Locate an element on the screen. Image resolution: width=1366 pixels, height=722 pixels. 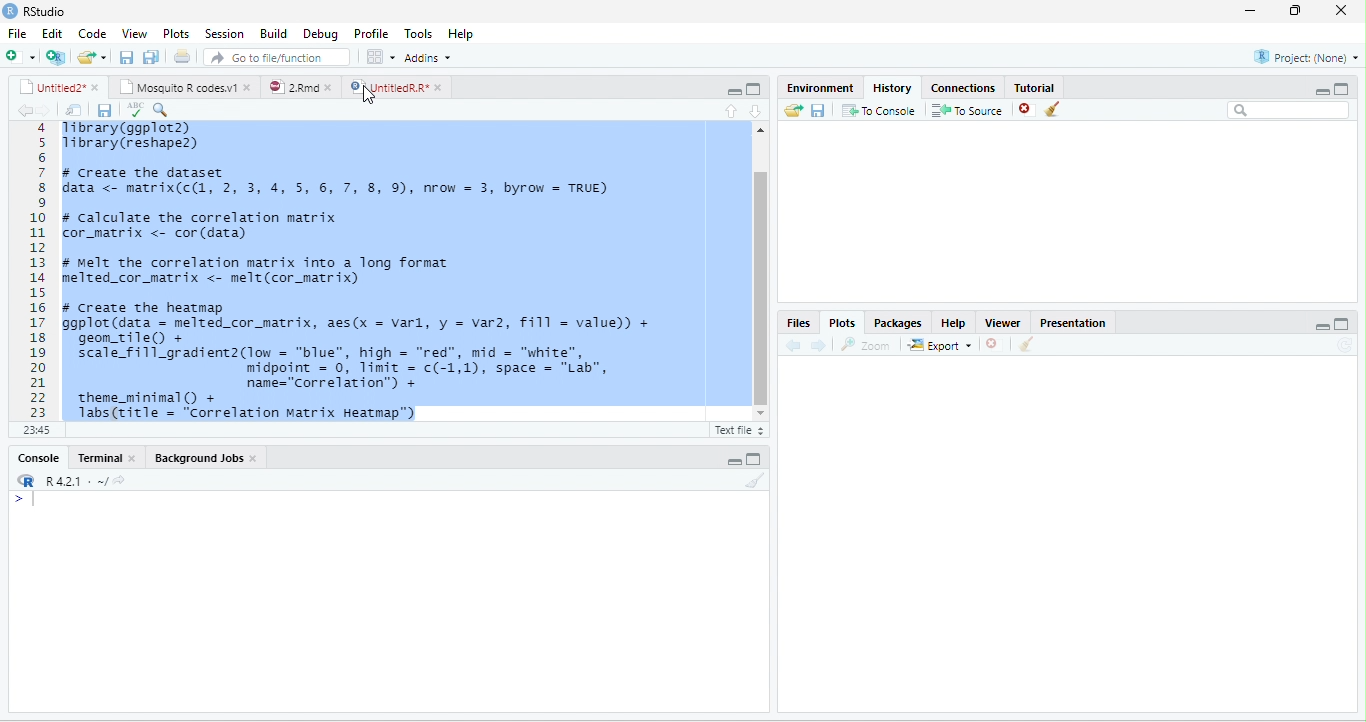
CLOSE is located at coordinates (995, 344).